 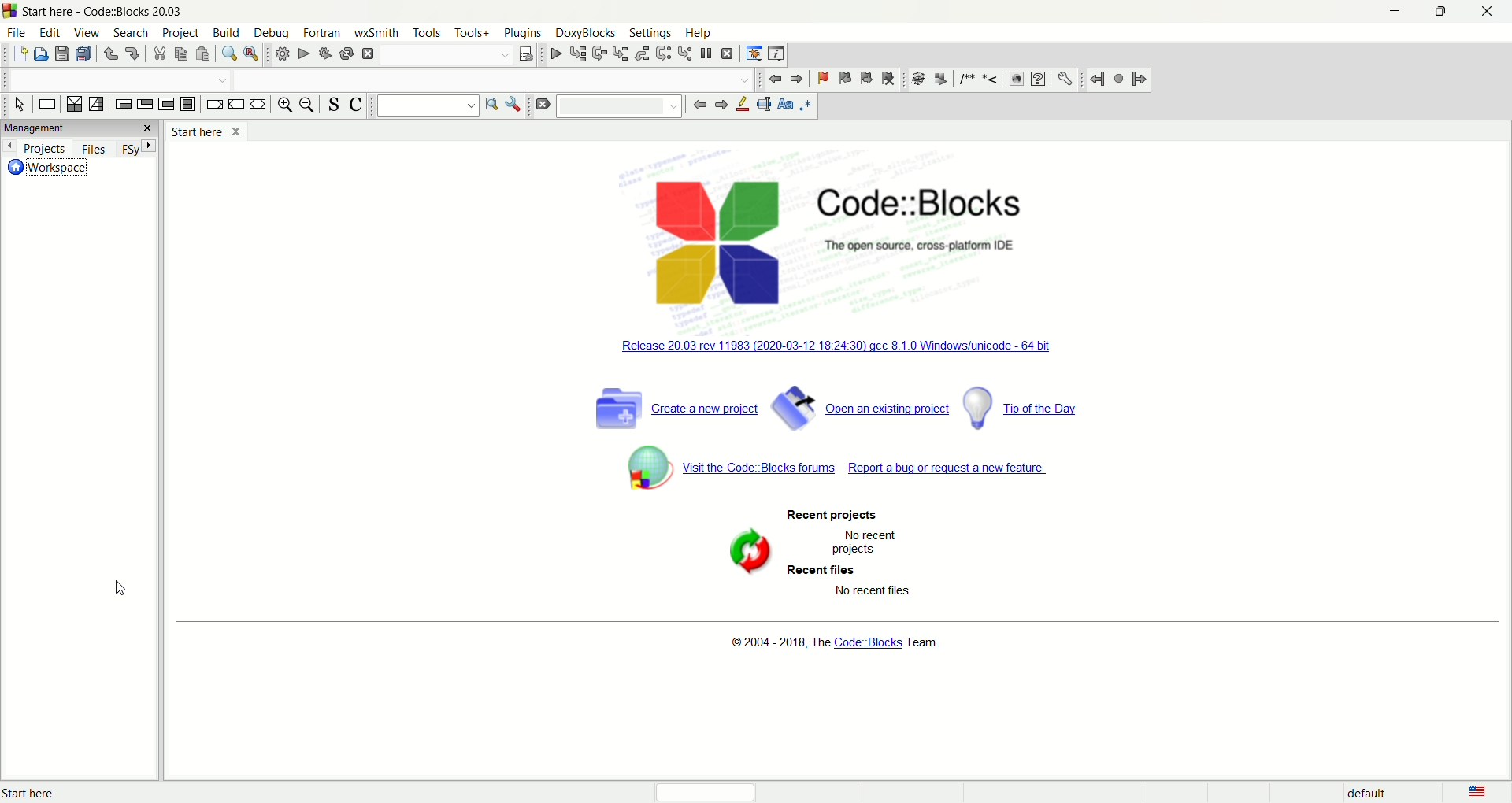 I want to click on jump forward, so click(x=1138, y=78).